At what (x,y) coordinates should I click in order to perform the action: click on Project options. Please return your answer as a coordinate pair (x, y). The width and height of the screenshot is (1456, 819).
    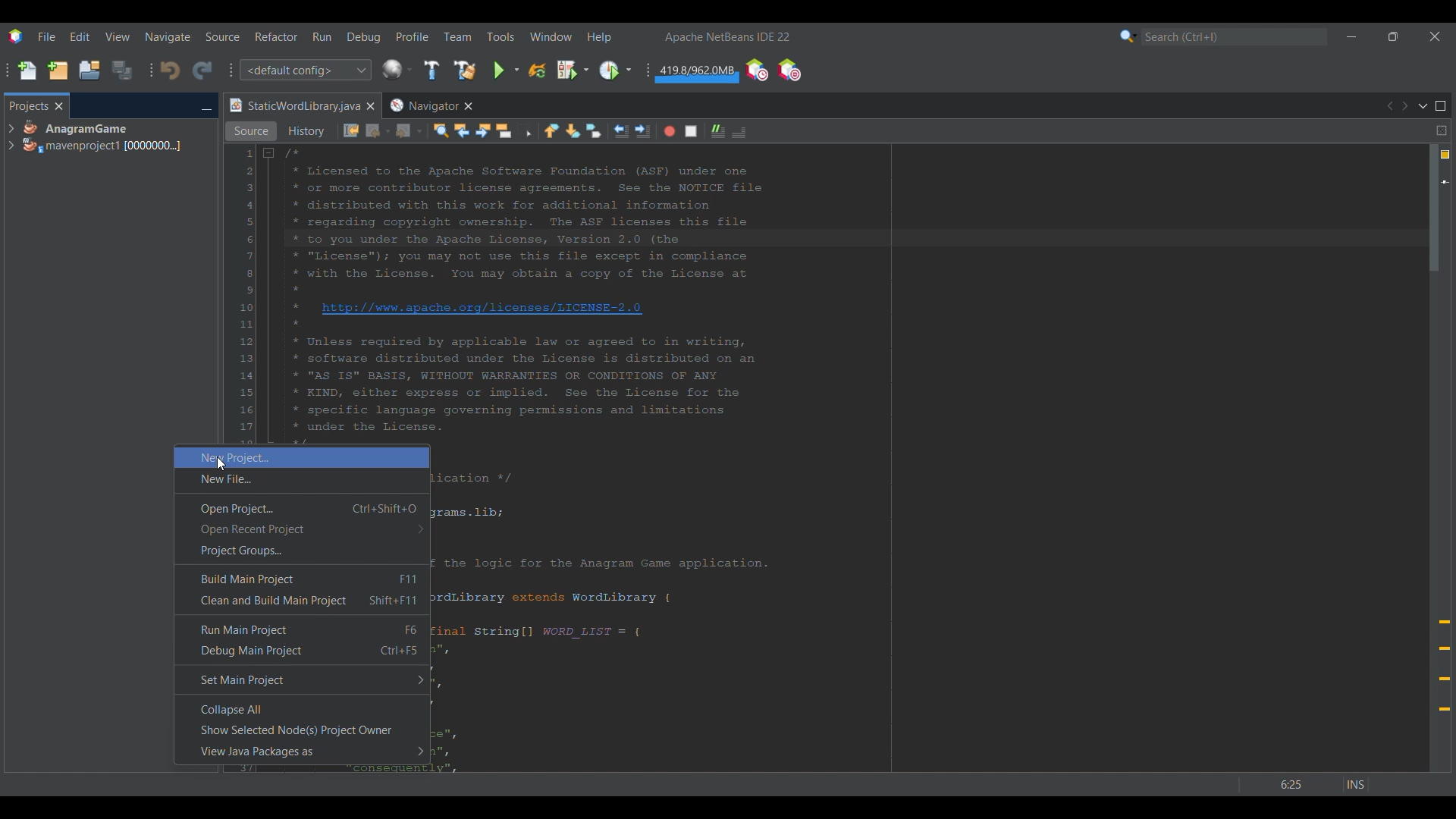
    Looking at the image, I should click on (103, 136).